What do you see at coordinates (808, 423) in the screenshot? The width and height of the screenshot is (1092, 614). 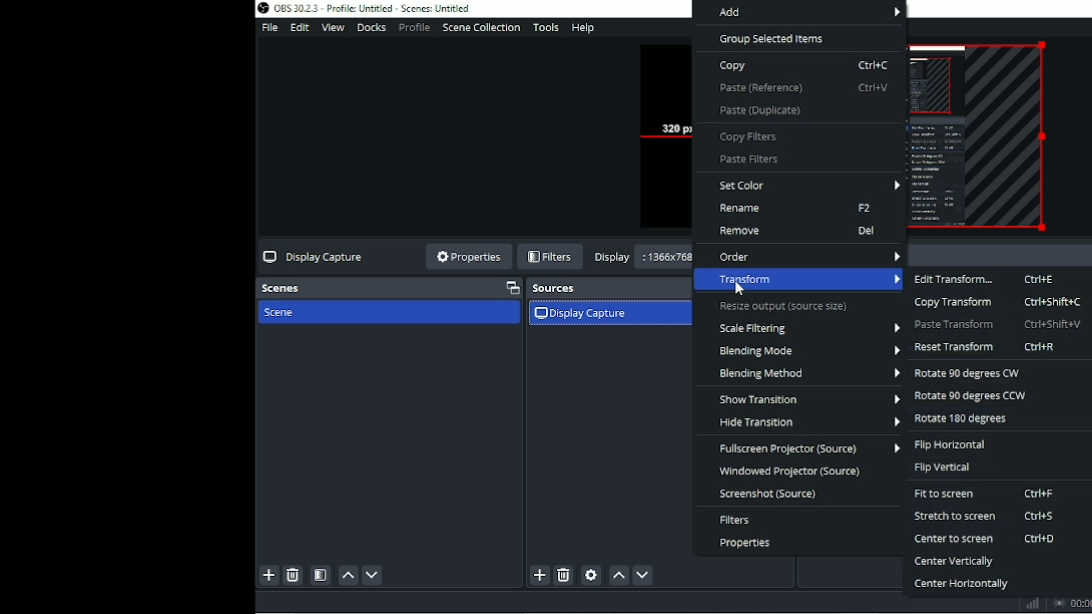 I see `Hide transition` at bounding box center [808, 423].